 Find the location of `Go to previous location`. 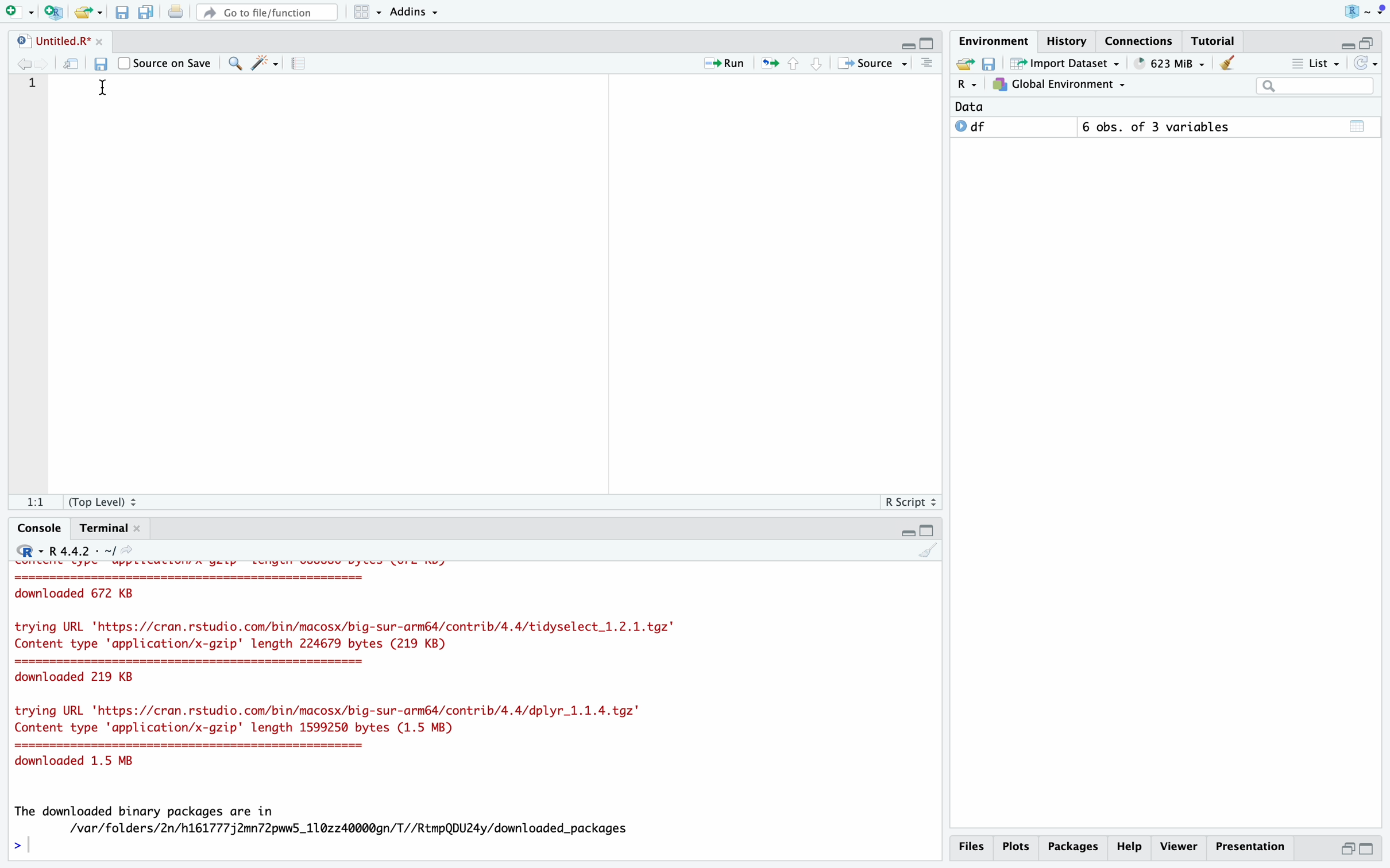

Go to previous location is located at coordinates (22, 64).